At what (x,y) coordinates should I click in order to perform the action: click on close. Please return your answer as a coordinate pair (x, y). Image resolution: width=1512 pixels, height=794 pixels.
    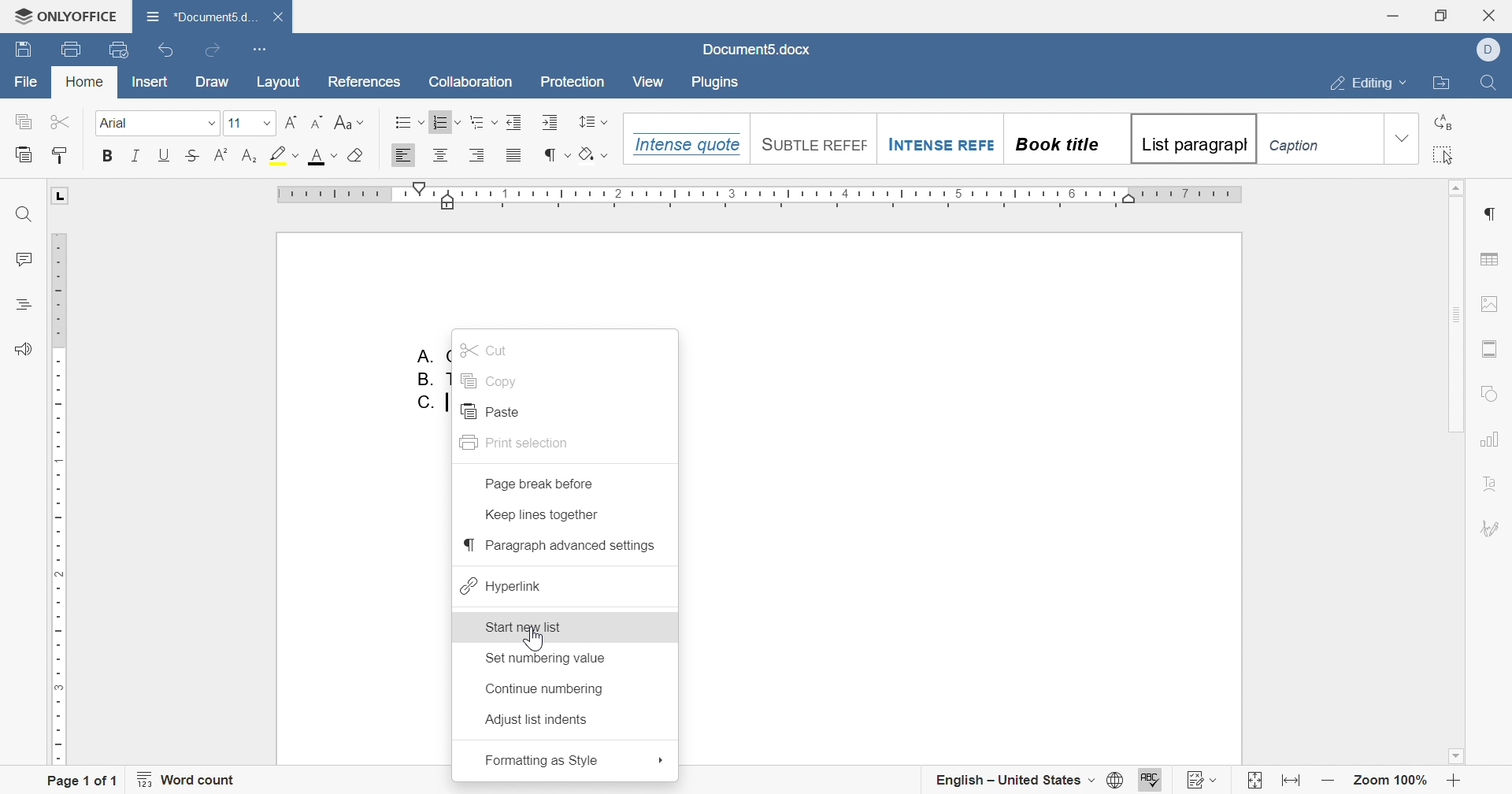
    Looking at the image, I should click on (1492, 16).